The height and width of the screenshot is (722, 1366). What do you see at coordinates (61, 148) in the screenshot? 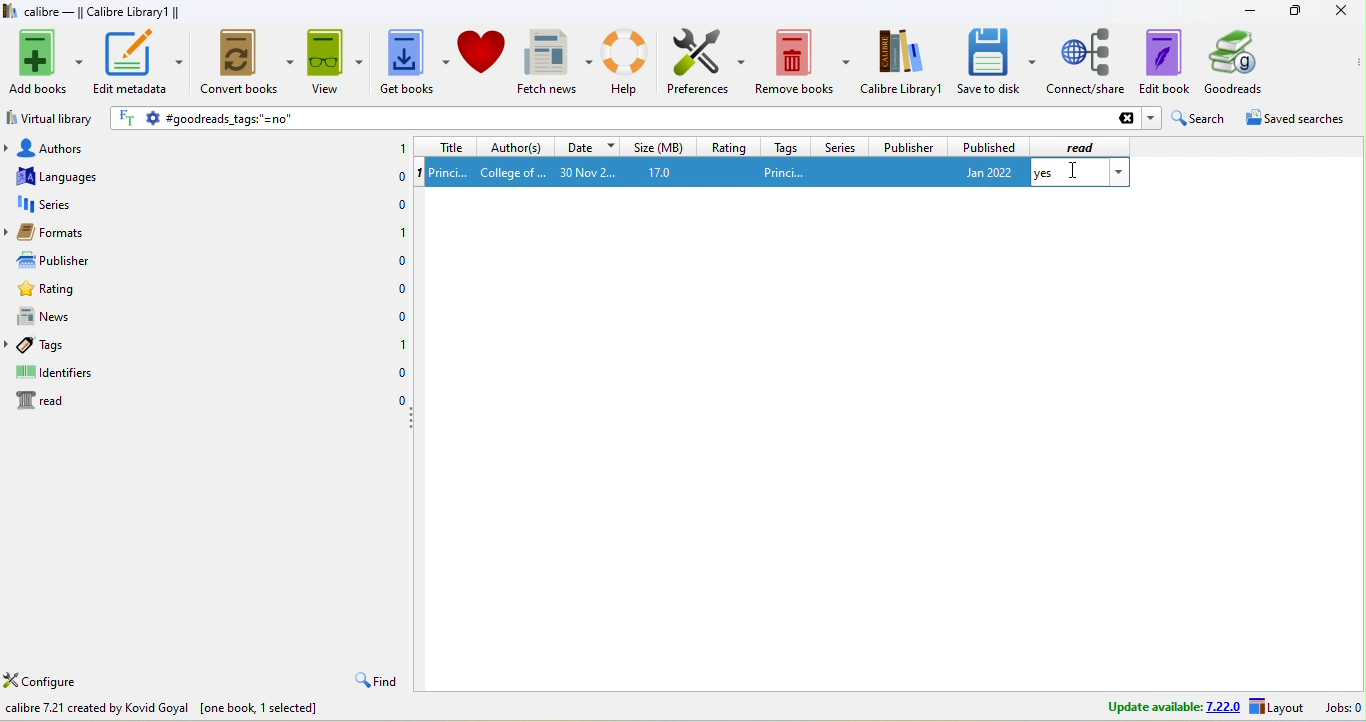
I see `authors` at bounding box center [61, 148].